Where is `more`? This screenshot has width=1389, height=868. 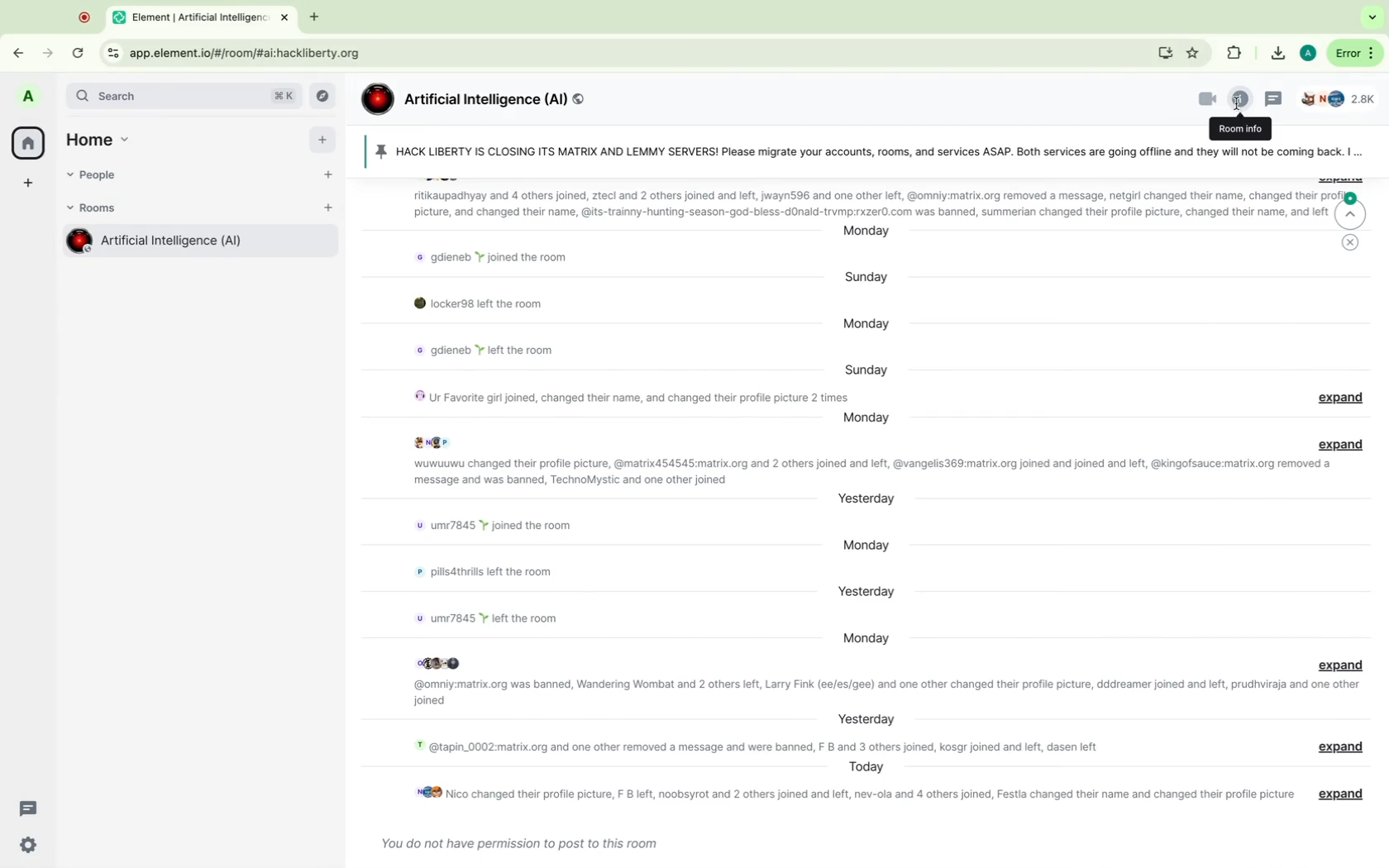 more is located at coordinates (1353, 53).